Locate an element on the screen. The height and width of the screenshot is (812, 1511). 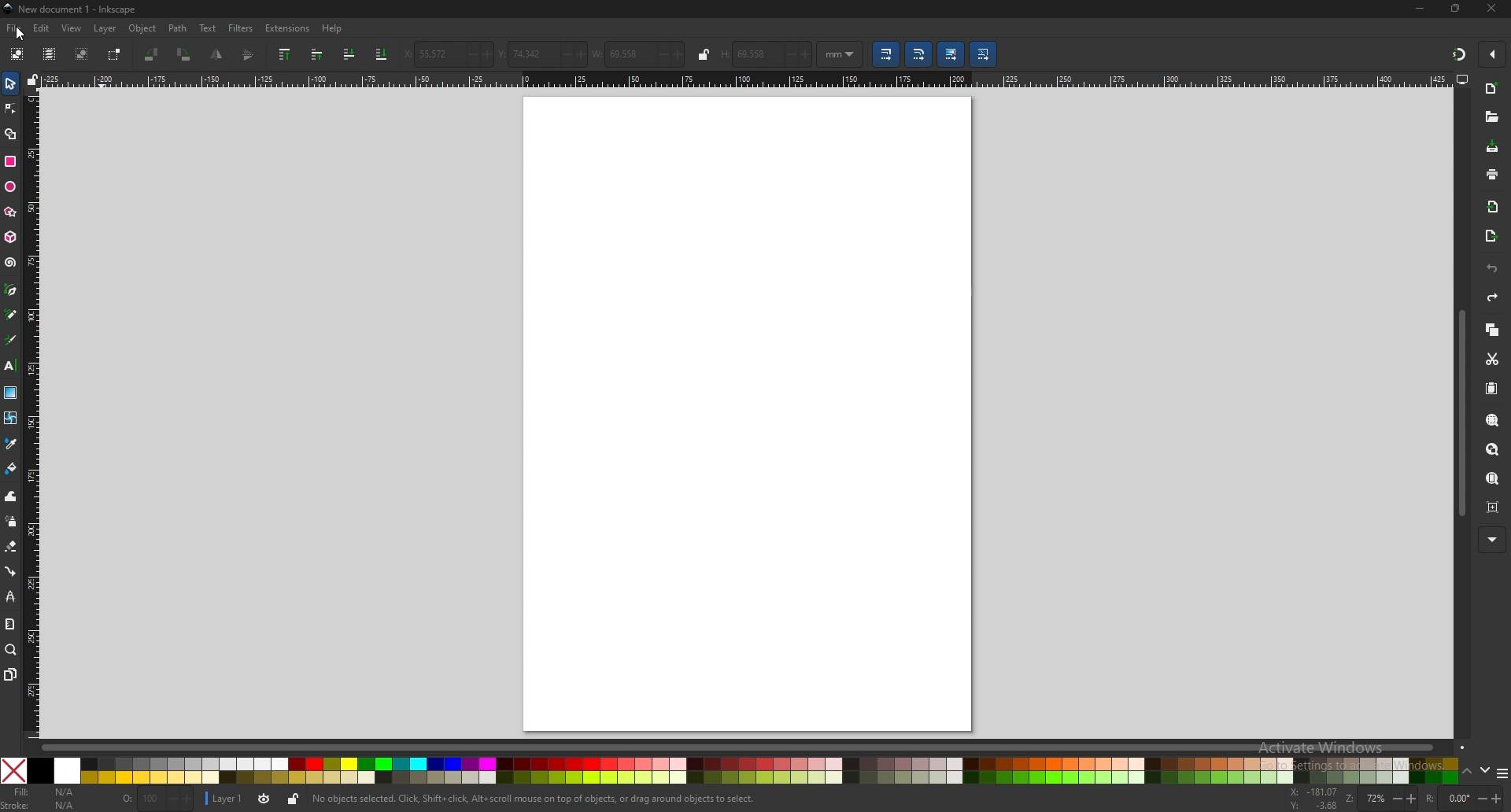
display options is located at coordinates (1462, 79).